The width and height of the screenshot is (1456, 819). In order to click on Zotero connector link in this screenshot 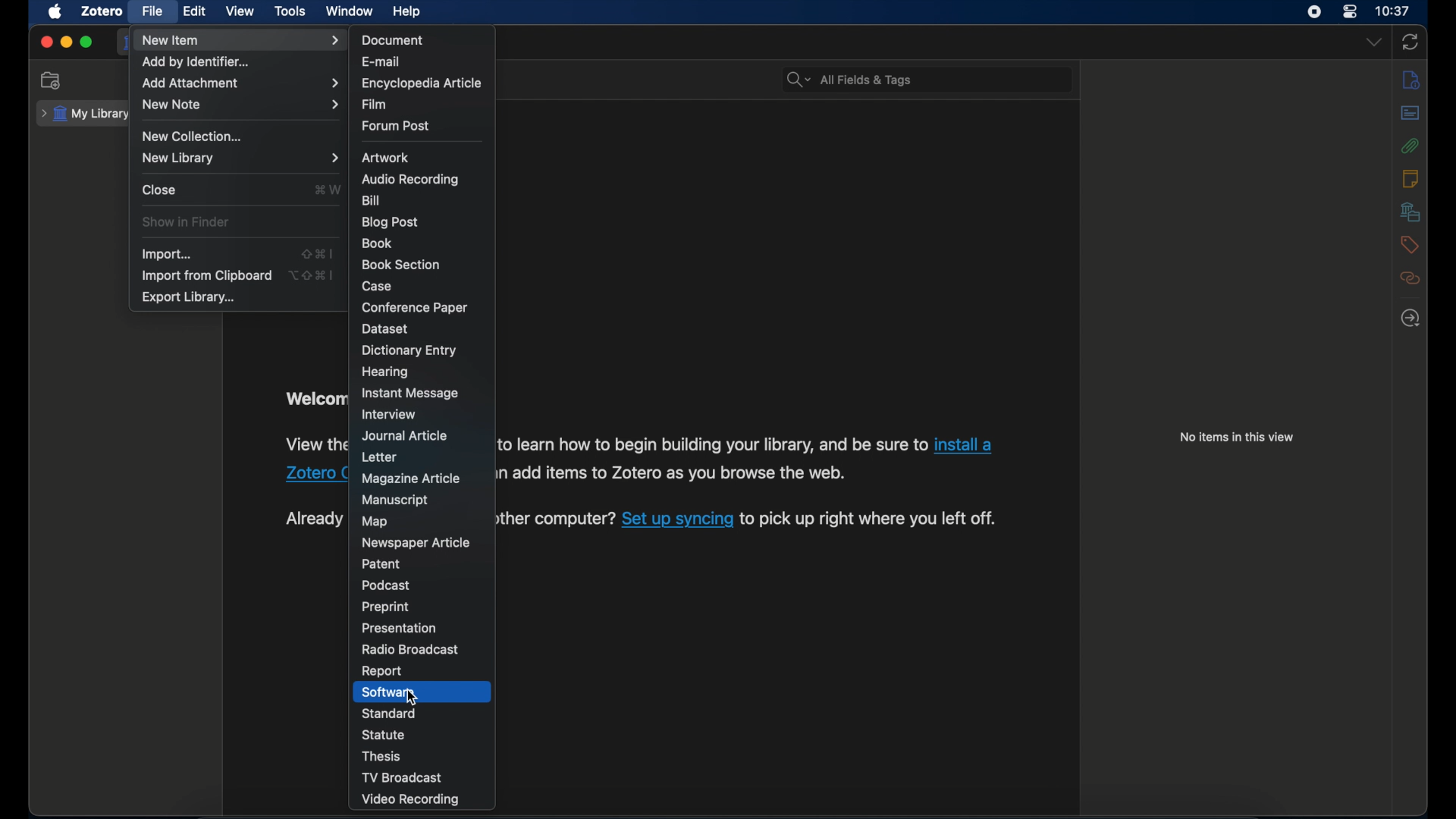, I will do `click(314, 475)`.